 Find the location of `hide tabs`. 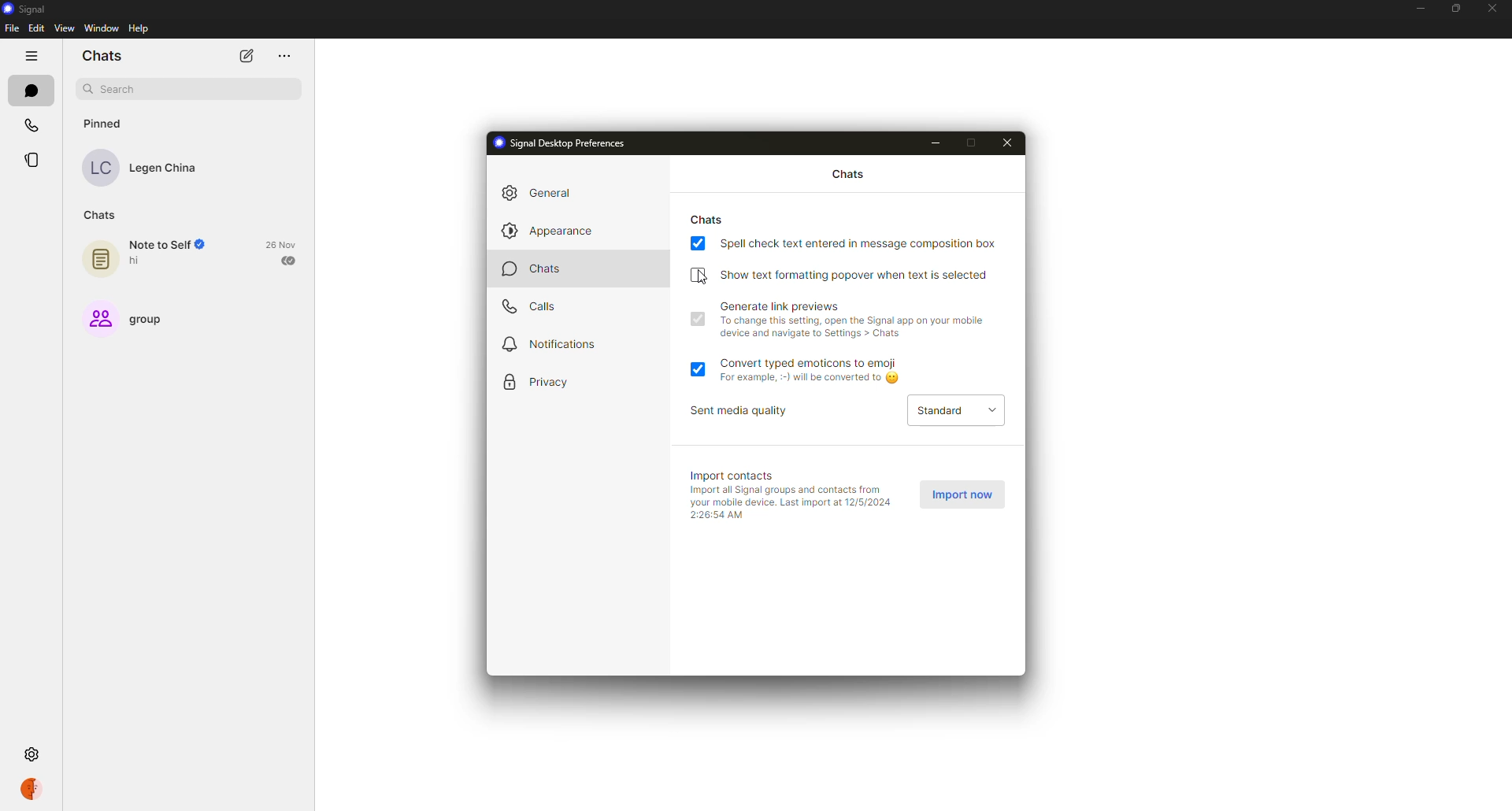

hide tabs is located at coordinates (31, 55).